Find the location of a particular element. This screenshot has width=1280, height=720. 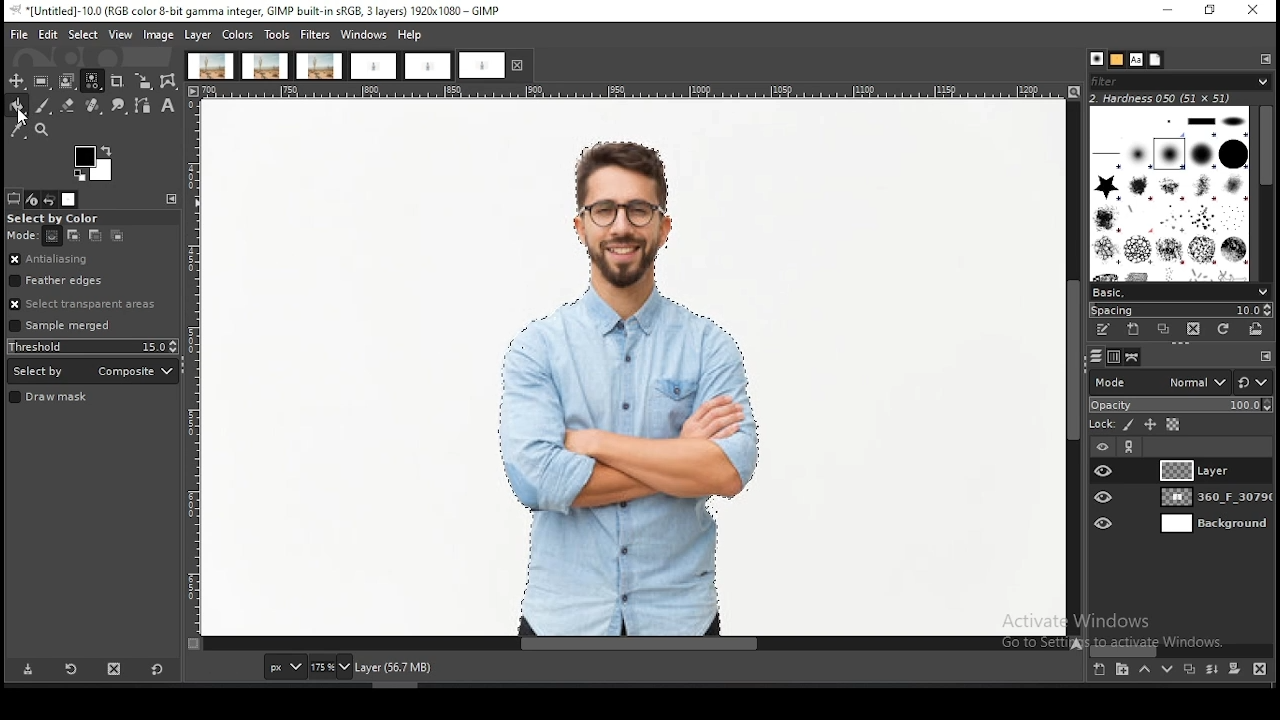

775, 465 is located at coordinates (227, 668).